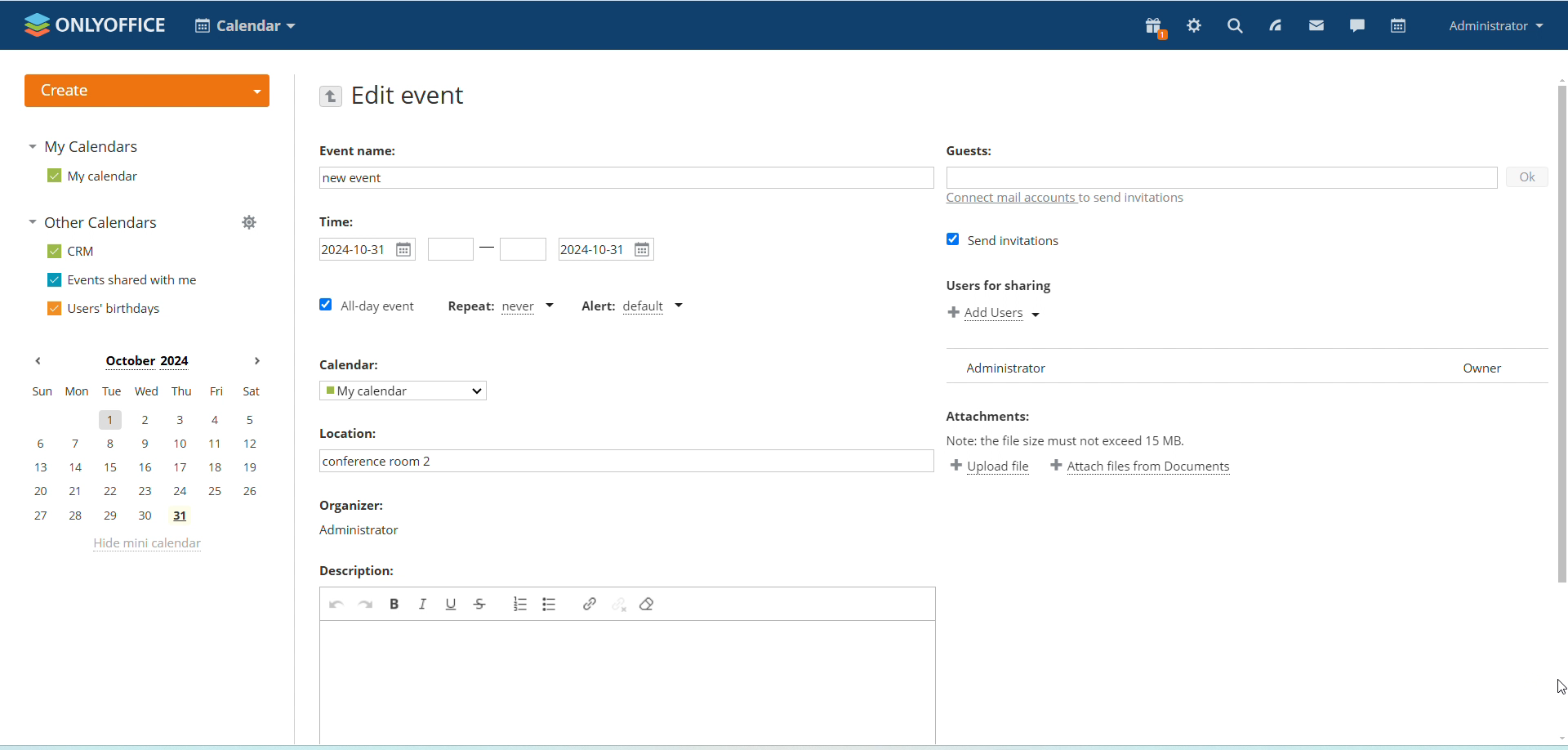  What do you see at coordinates (523, 249) in the screenshot?
I see `event end time` at bounding box center [523, 249].